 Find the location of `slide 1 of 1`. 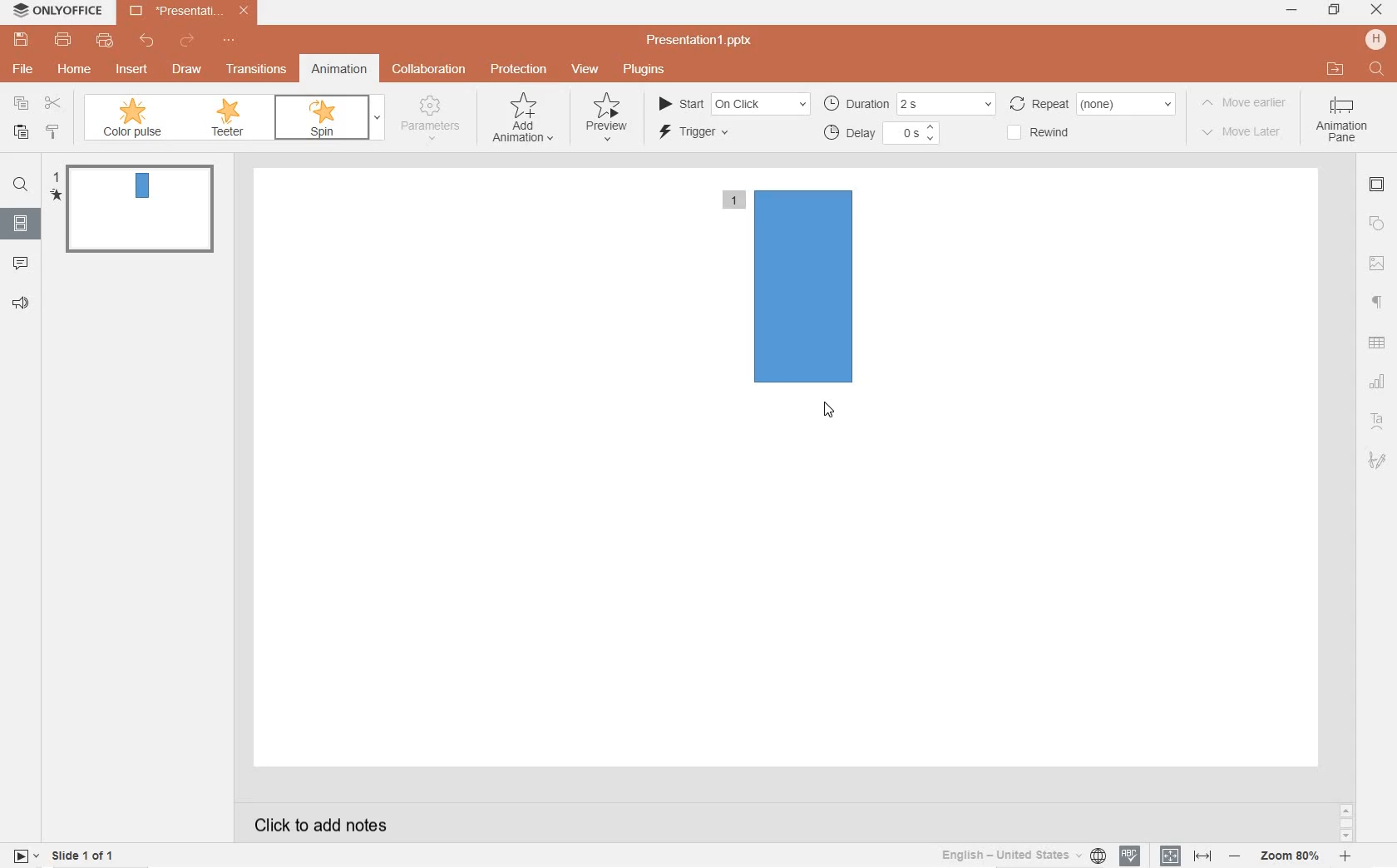

slide 1 of 1 is located at coordinates (85, 858).